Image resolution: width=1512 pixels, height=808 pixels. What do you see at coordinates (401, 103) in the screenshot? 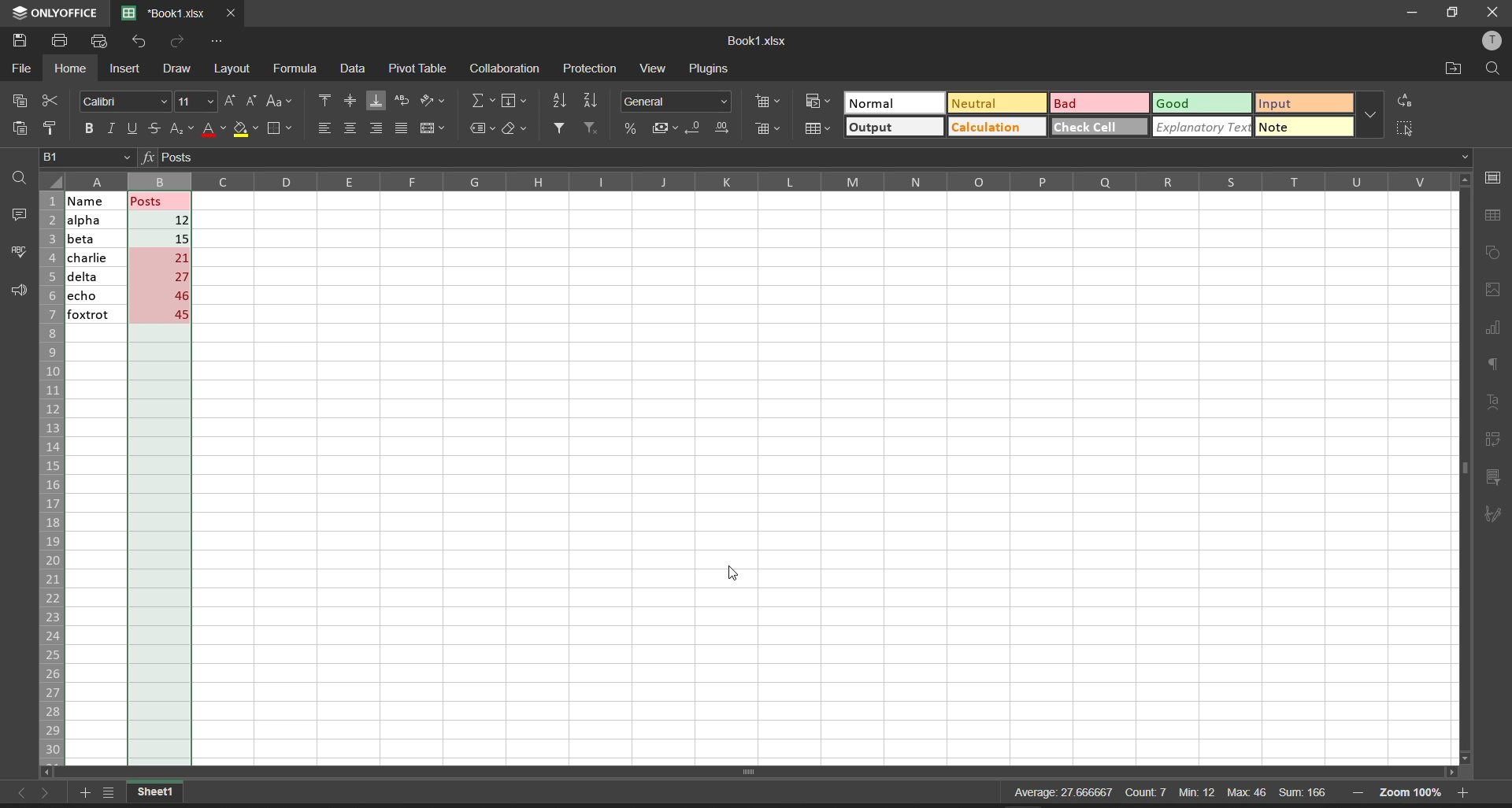
I see `wrap text` at bounding box center [401, 103].